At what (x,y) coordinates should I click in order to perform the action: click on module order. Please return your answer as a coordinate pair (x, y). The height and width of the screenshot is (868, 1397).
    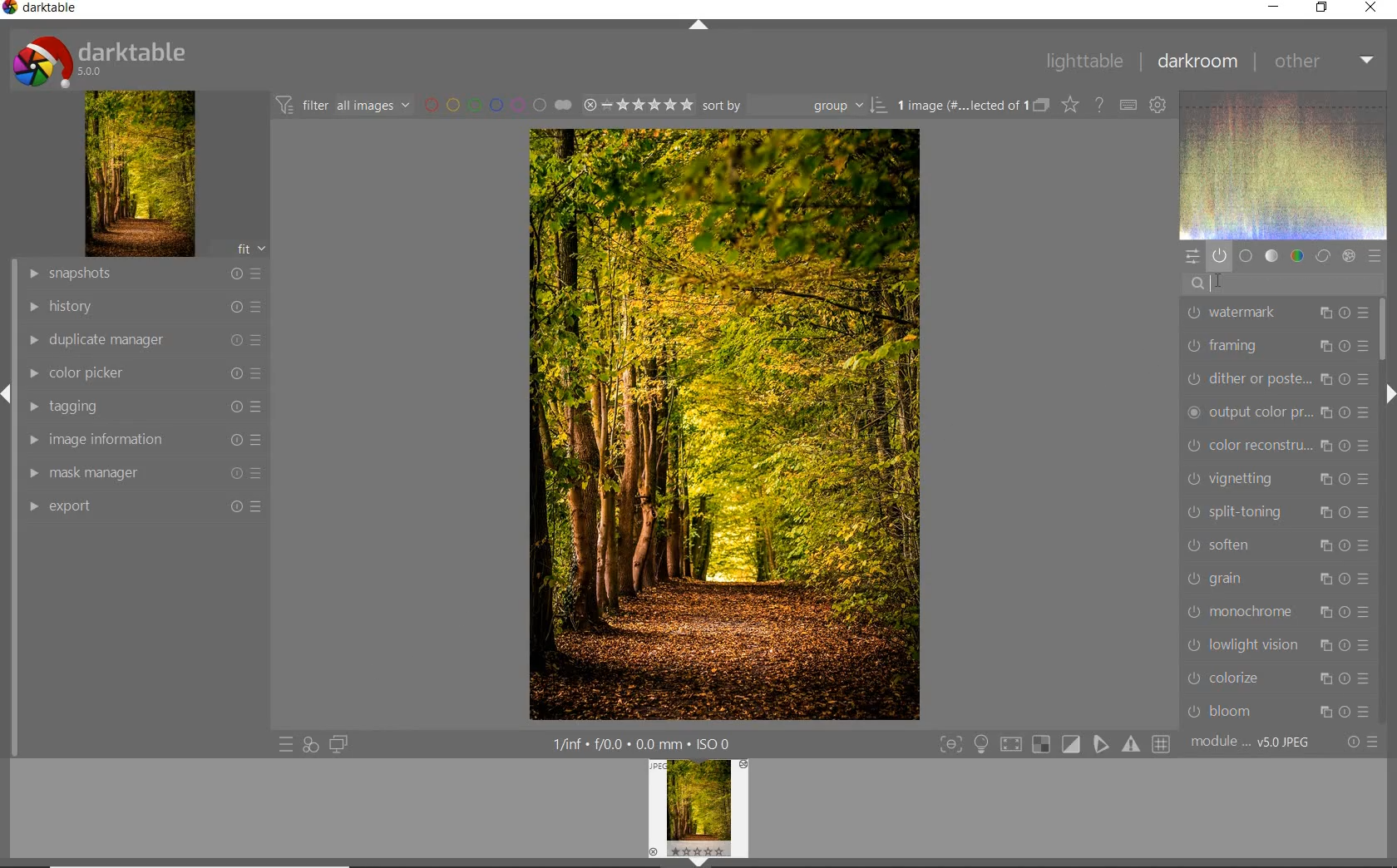
    Looking at the image, I should click on (1250, 744).